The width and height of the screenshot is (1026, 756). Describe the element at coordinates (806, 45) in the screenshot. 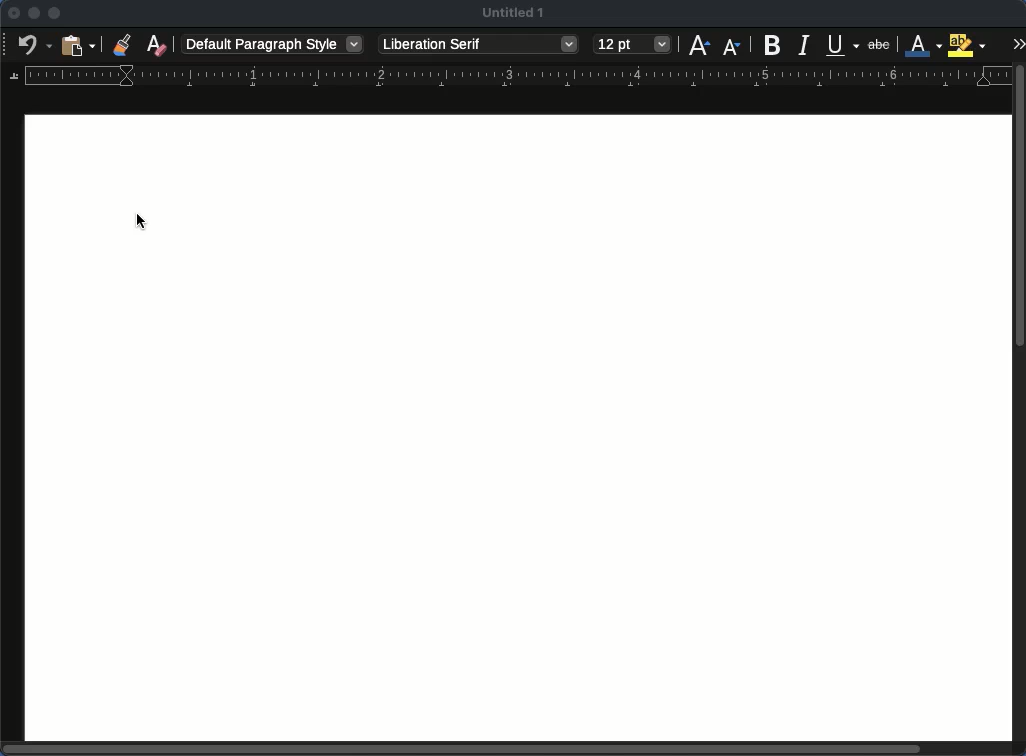

I see `italics` at that location.